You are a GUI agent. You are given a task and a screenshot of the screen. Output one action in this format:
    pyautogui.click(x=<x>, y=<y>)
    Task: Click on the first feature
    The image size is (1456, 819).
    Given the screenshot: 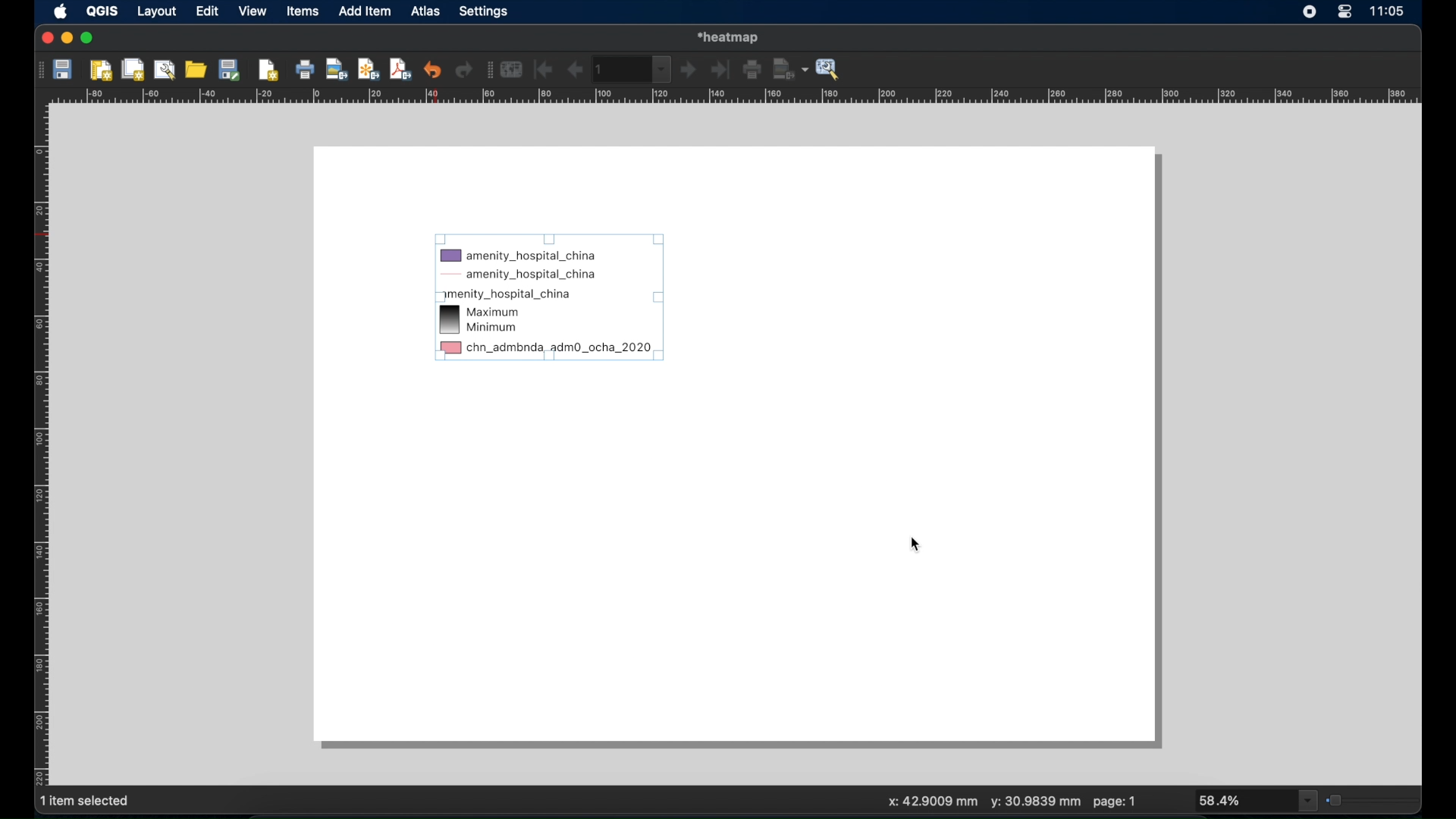 What is the action you would take?
    pyautogui.click(x=544, y=69)
    